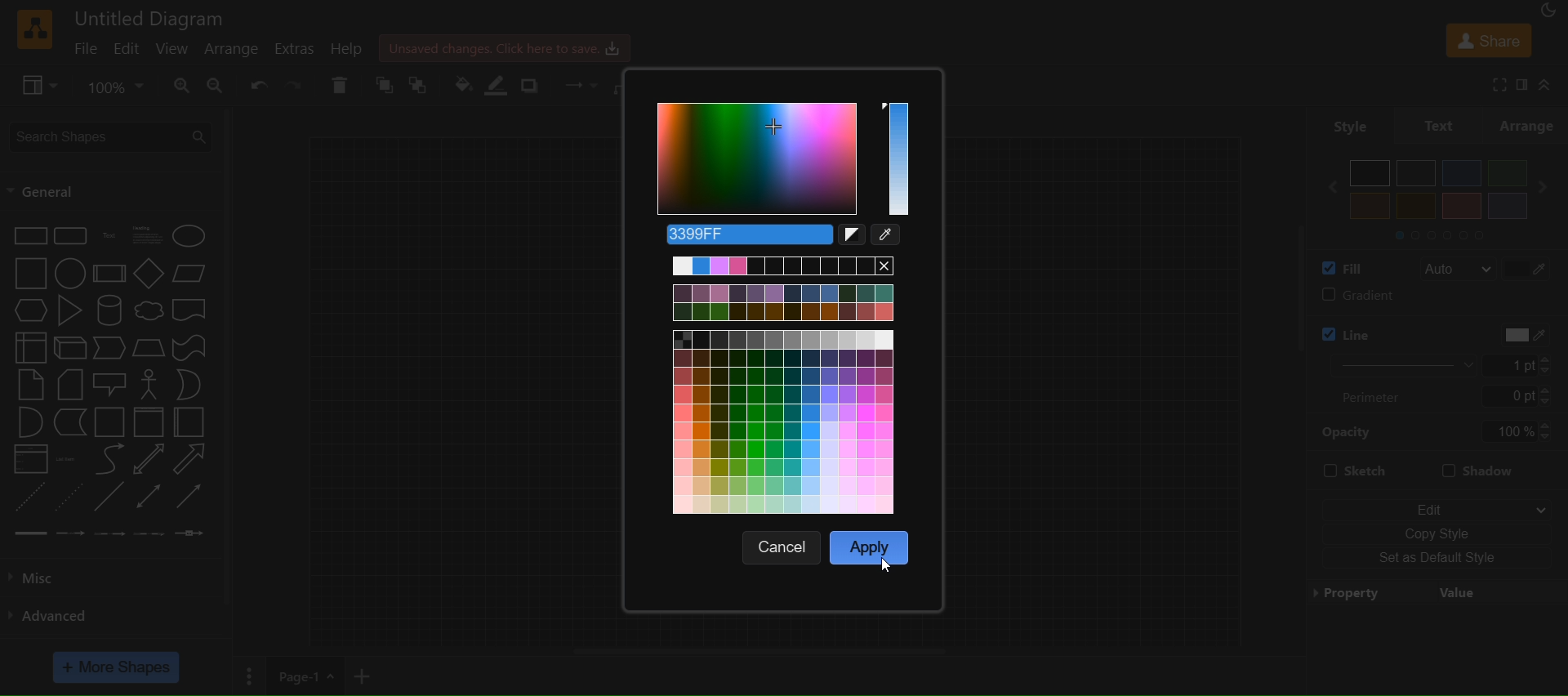 The width and height of the screenshot is (1568, 696). I want to click on rectangle, so click(29, 234).